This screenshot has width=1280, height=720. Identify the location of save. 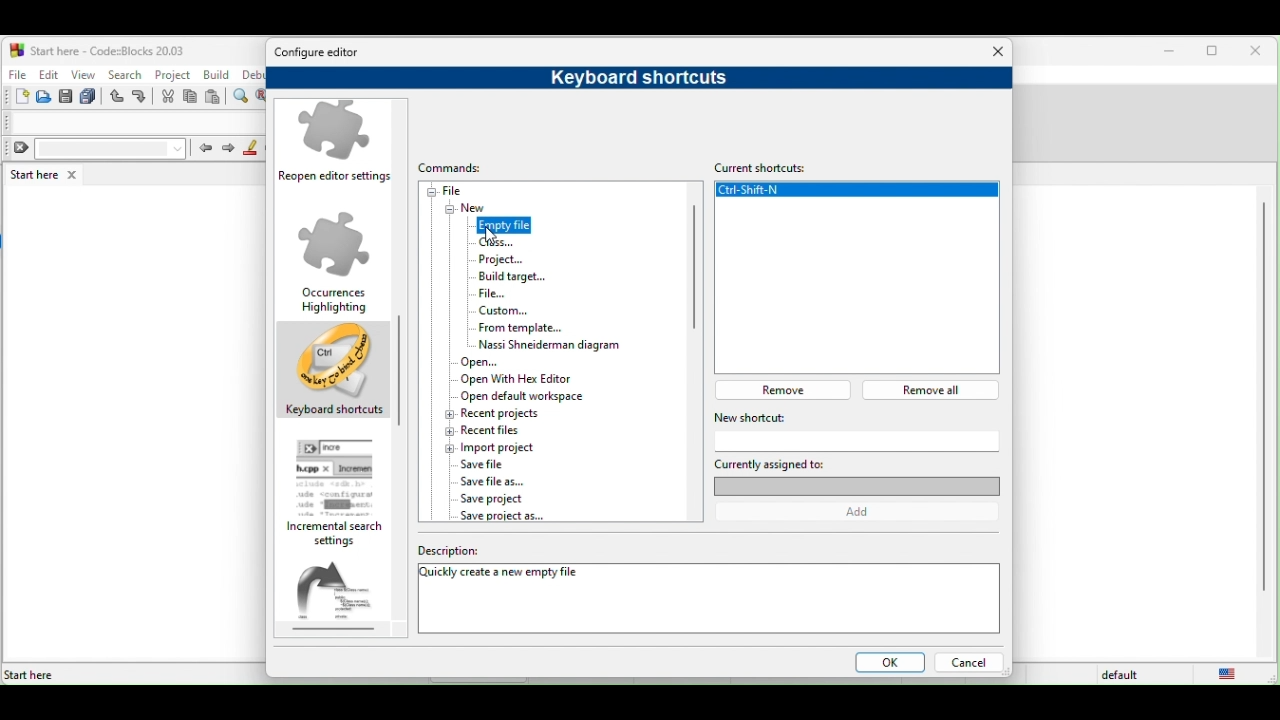
(66, 97).